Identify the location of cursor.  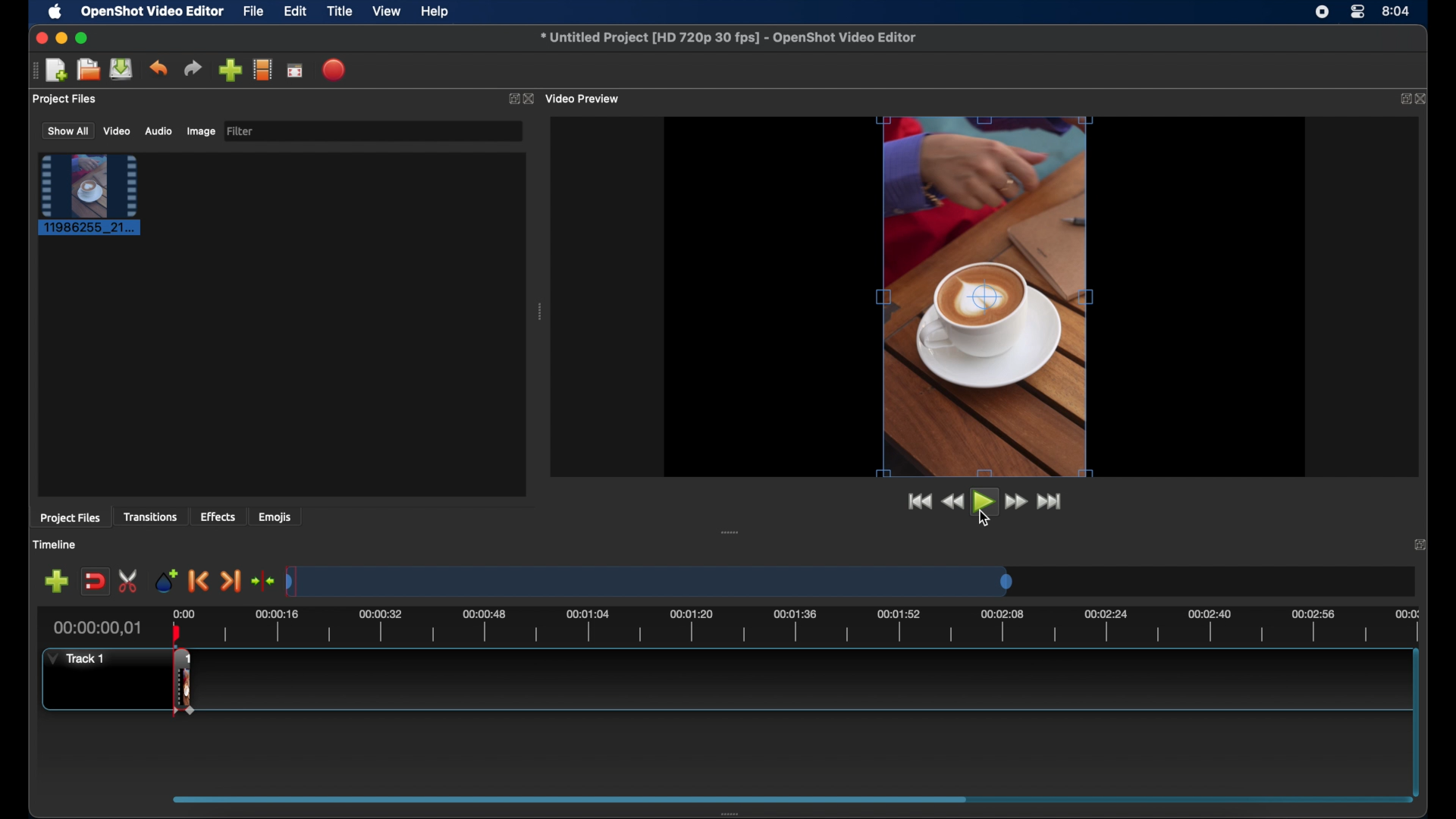
(985, 519).